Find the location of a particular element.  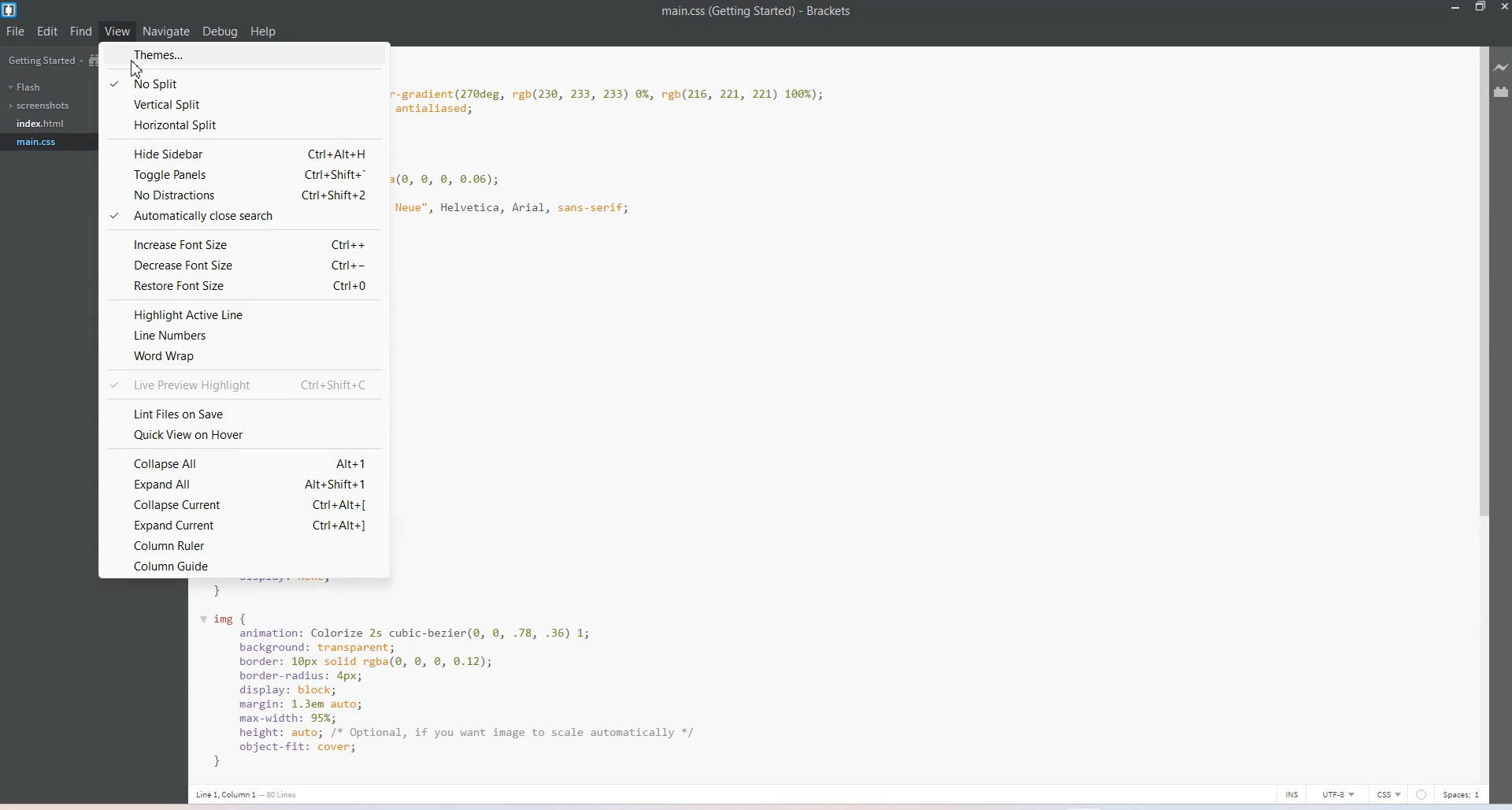

Vertical Split is located at coordinates (244, 105).